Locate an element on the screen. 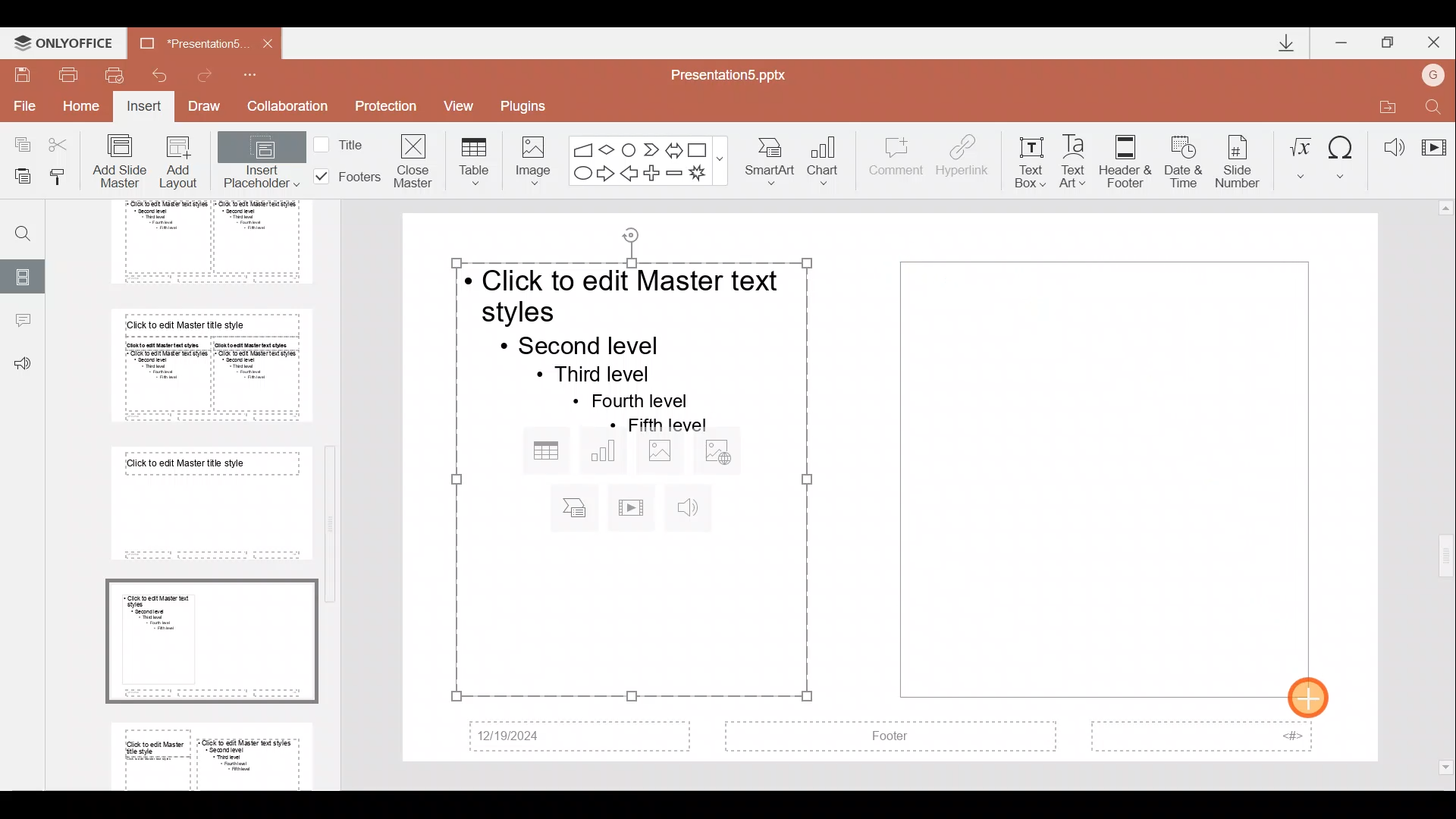 This screenshot has height=819, width=1456. Slide 5 is located at coordinates (199, 242).